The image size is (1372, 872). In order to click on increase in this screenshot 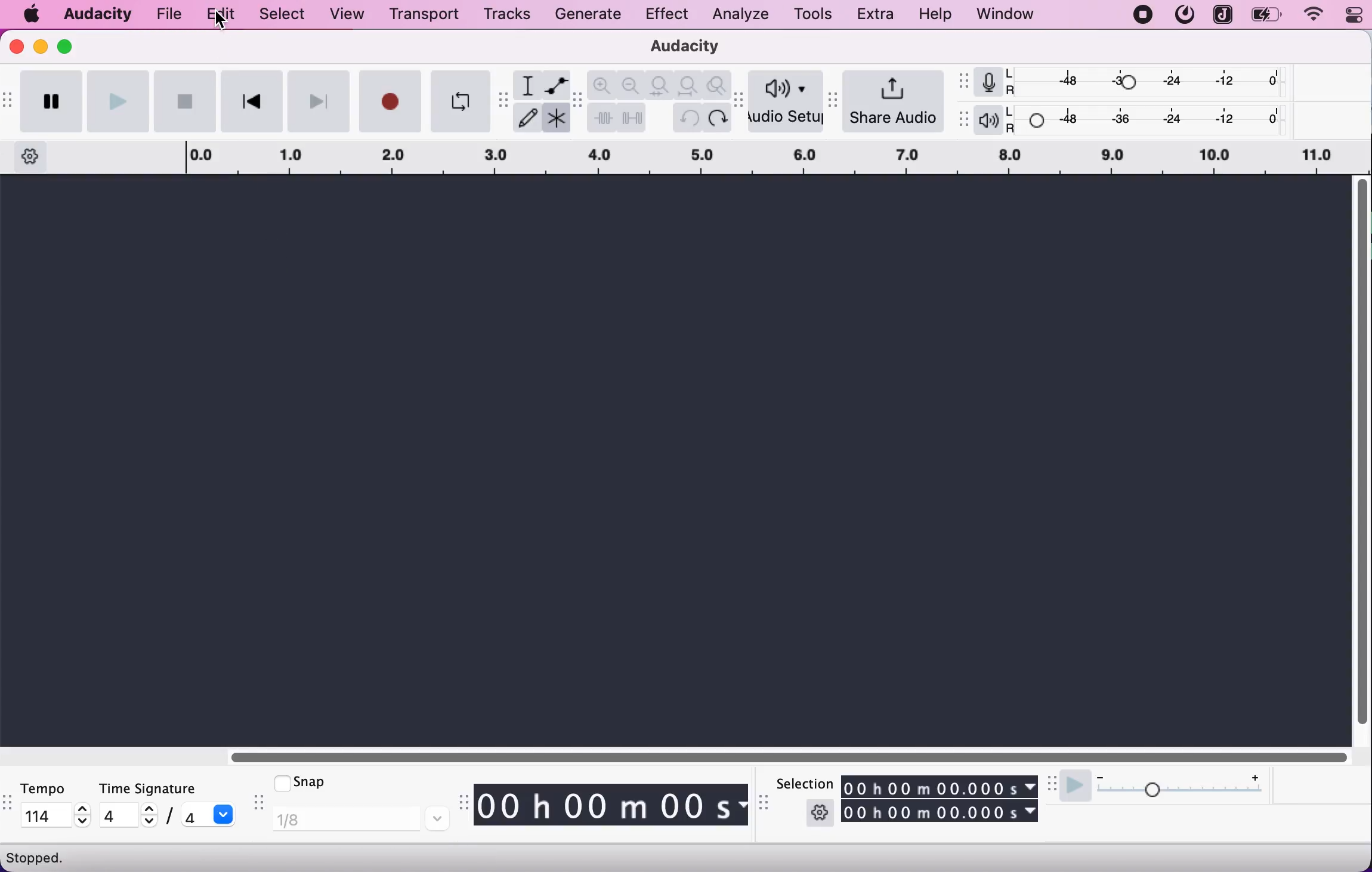, I will do `click(1254, 775)`.